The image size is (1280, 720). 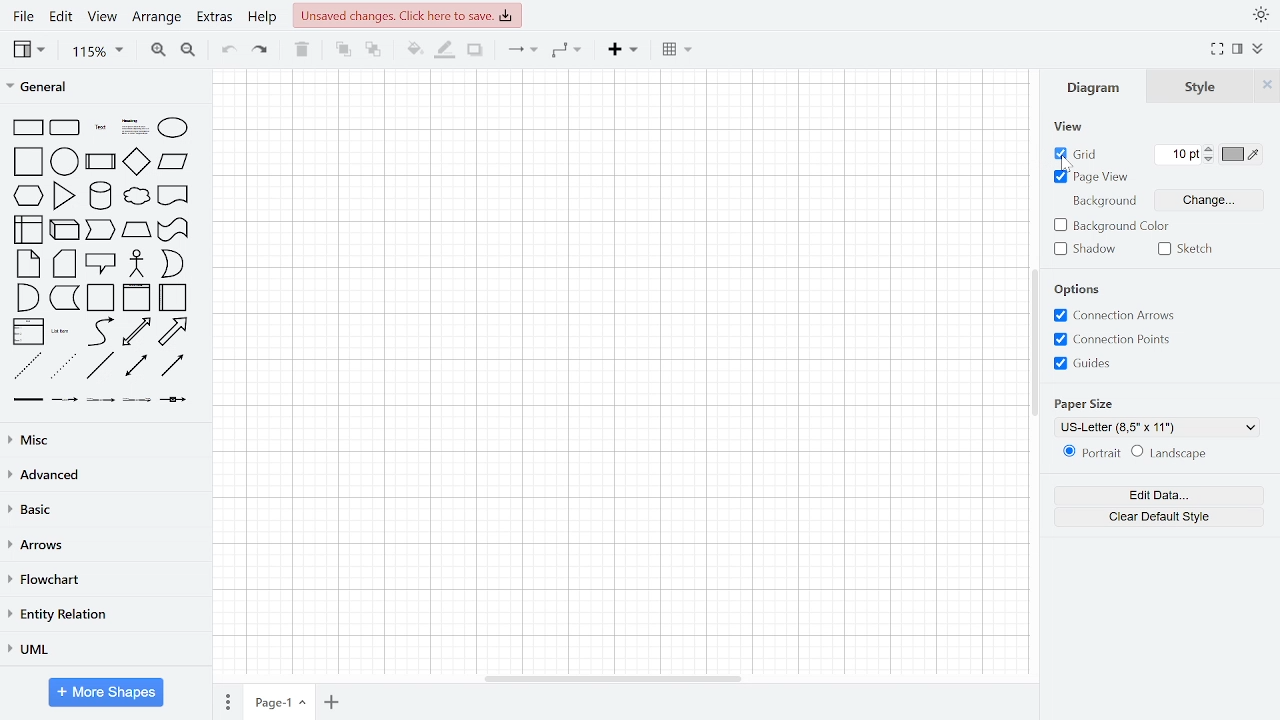 I want to click on ellipse, so click(x=174, y=128).